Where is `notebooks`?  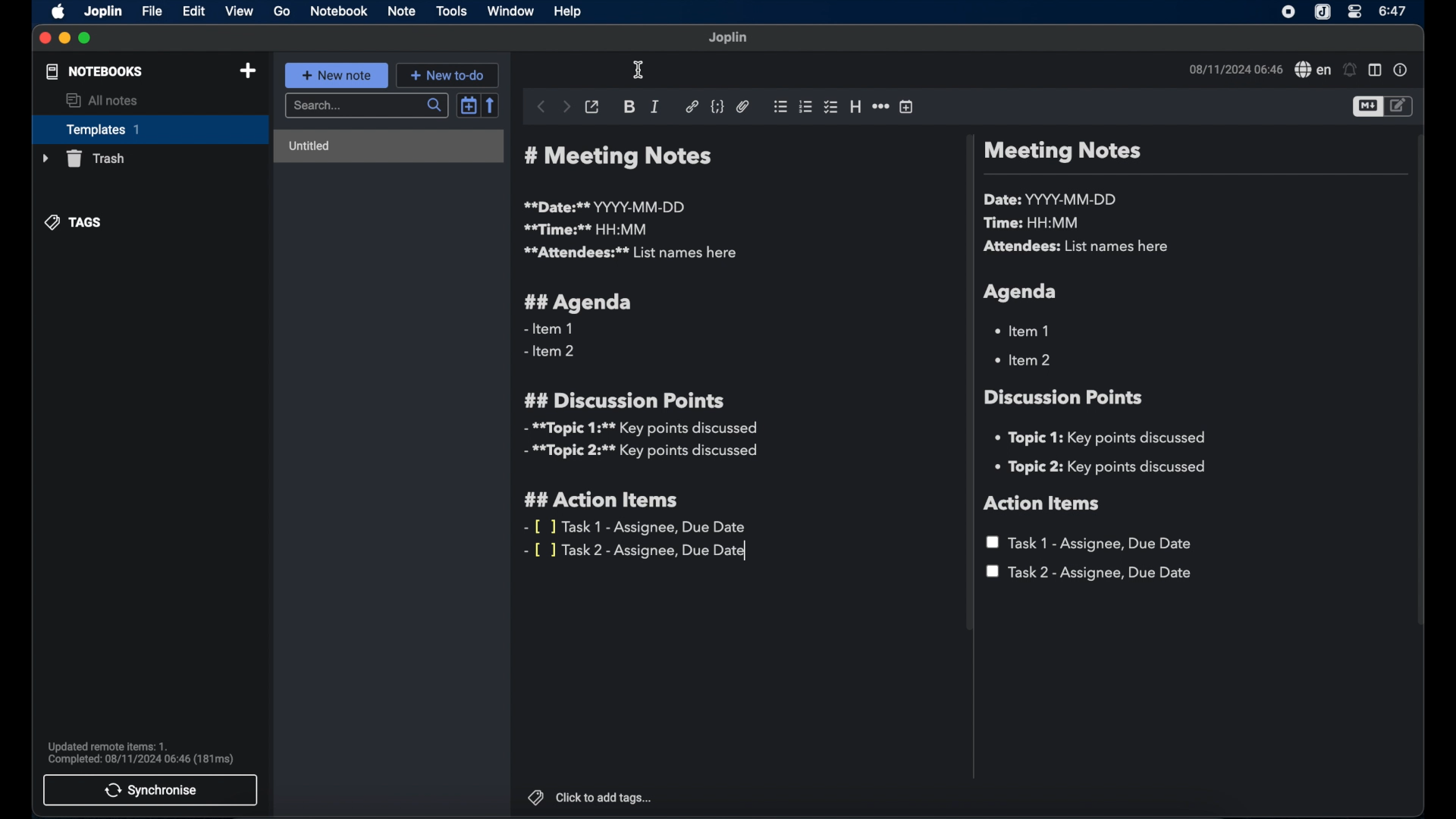 notebooks is located at coordinates (93, 72).